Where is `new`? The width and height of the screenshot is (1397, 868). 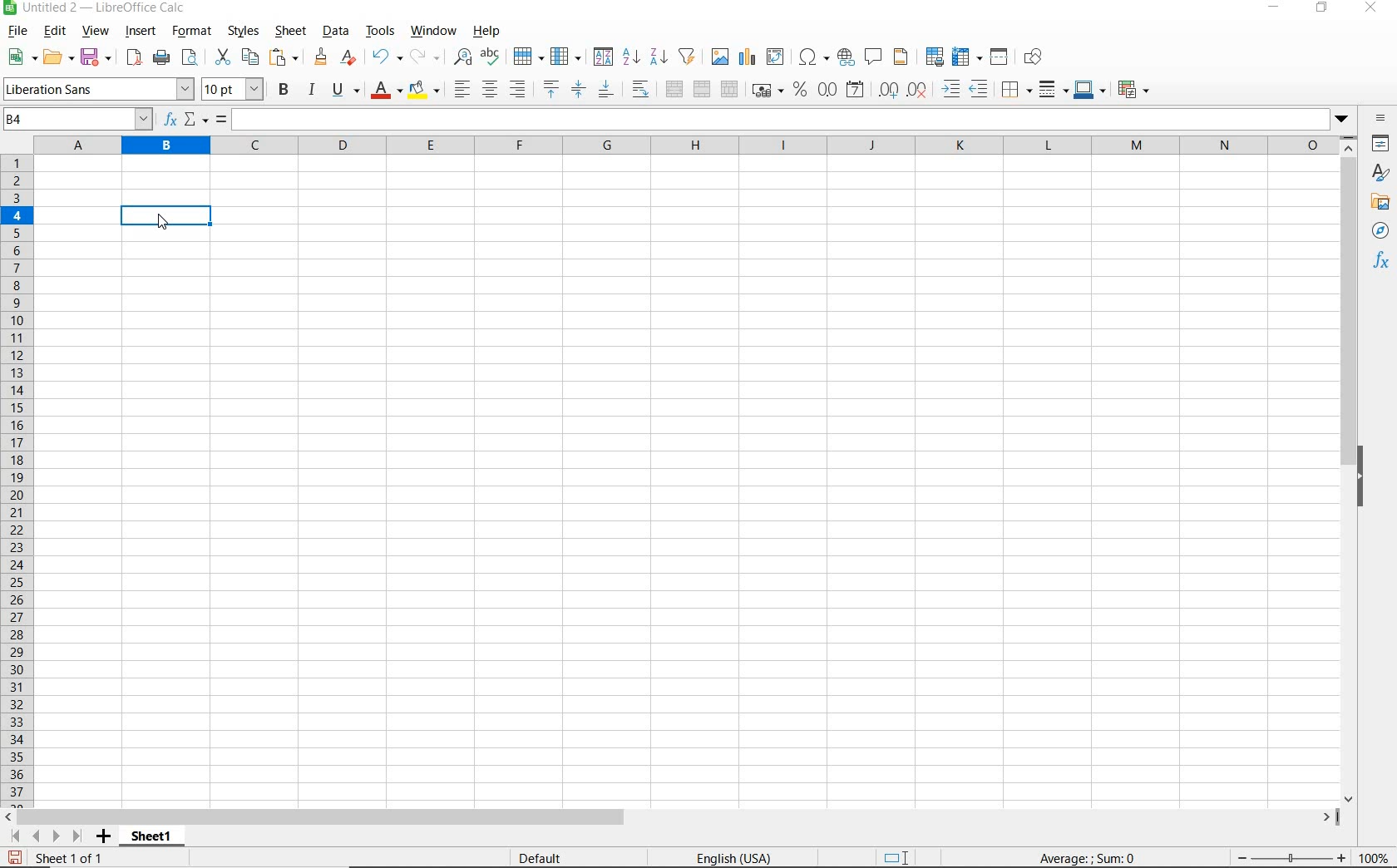
new is located at coordinates (22, 58).